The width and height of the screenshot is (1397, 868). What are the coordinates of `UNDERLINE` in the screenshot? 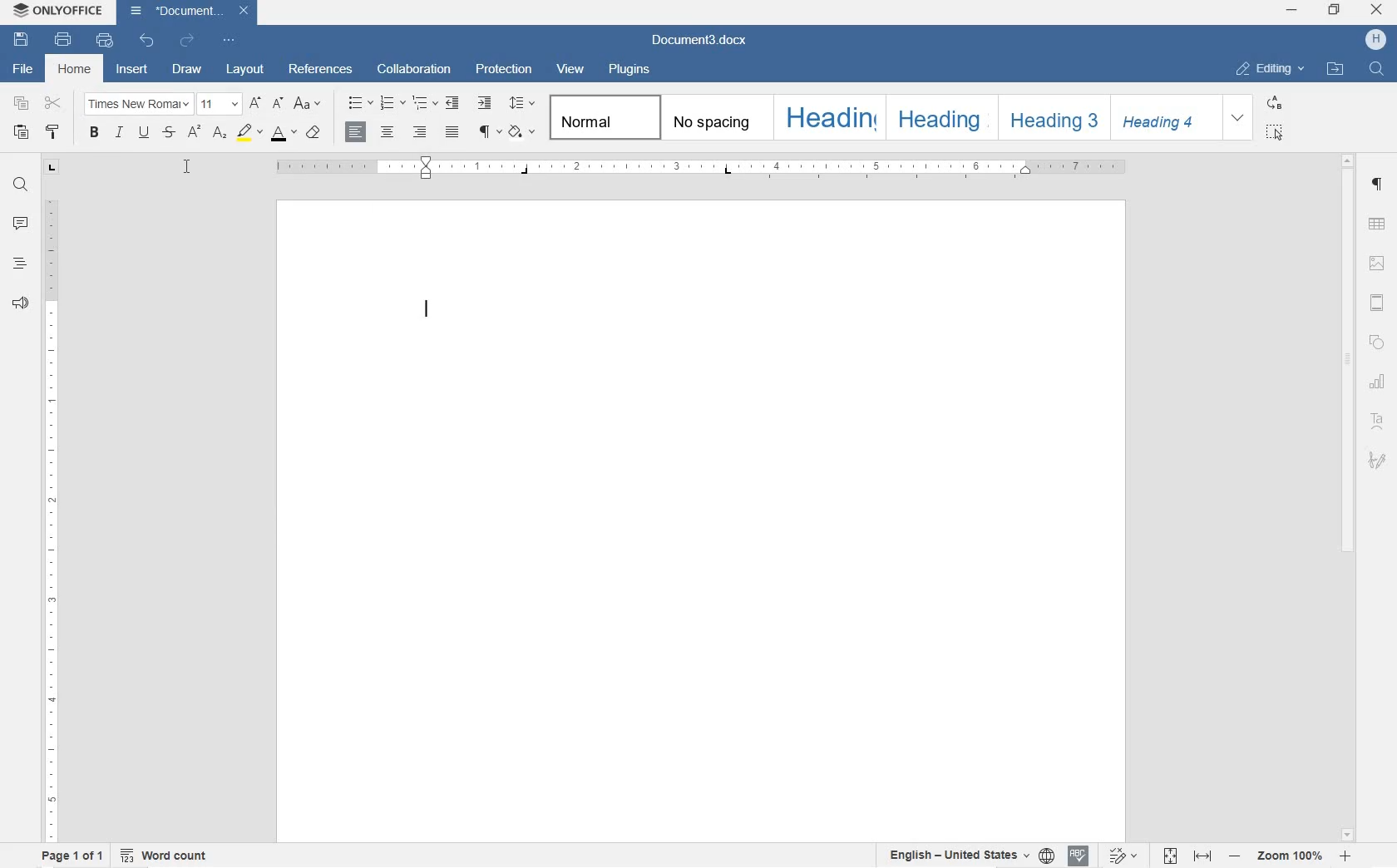 It's located at (143, 134).